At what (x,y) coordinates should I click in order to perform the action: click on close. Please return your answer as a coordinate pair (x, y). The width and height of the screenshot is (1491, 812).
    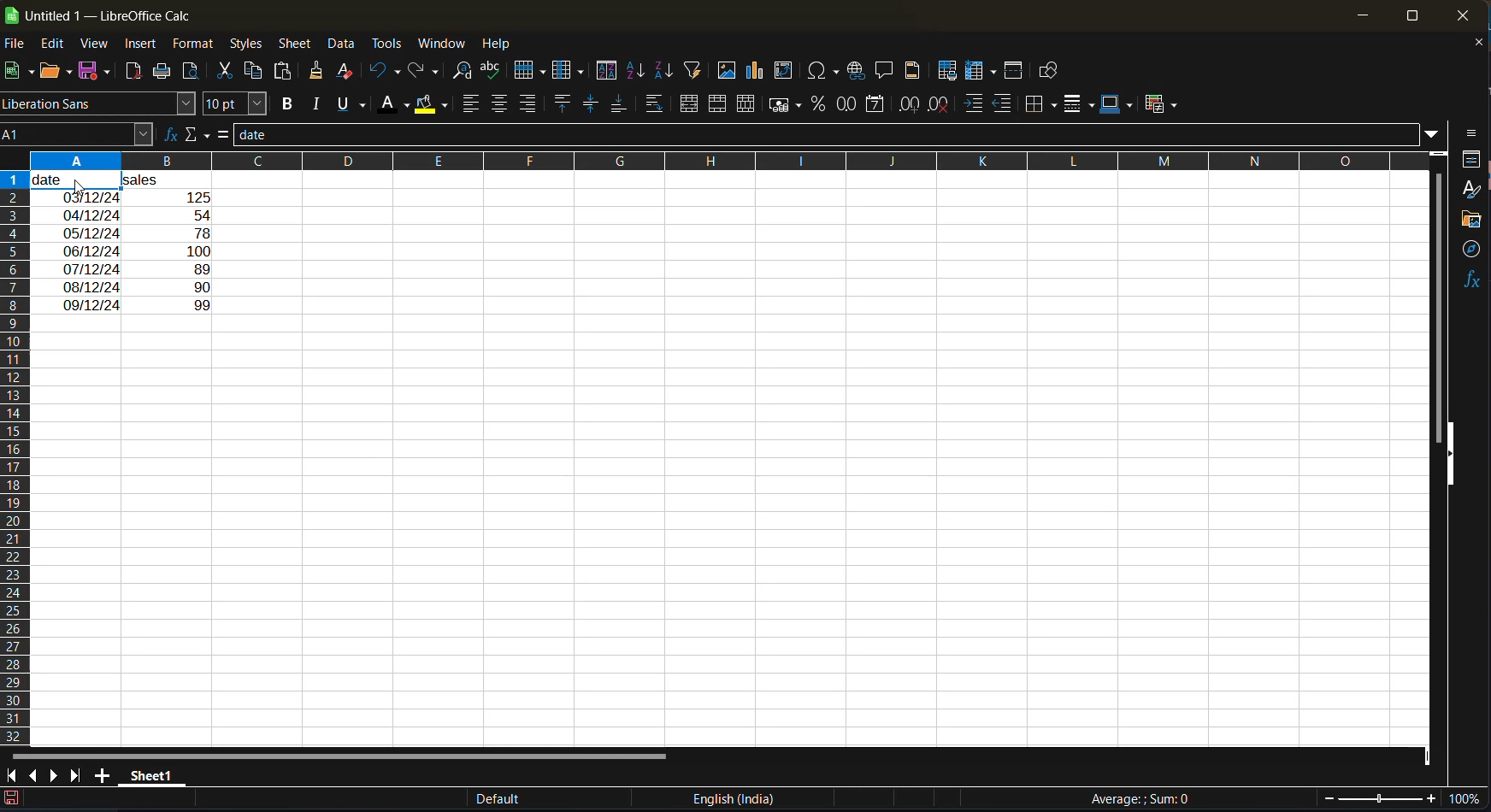
    Looking at the image, I should click on (1463, 15).